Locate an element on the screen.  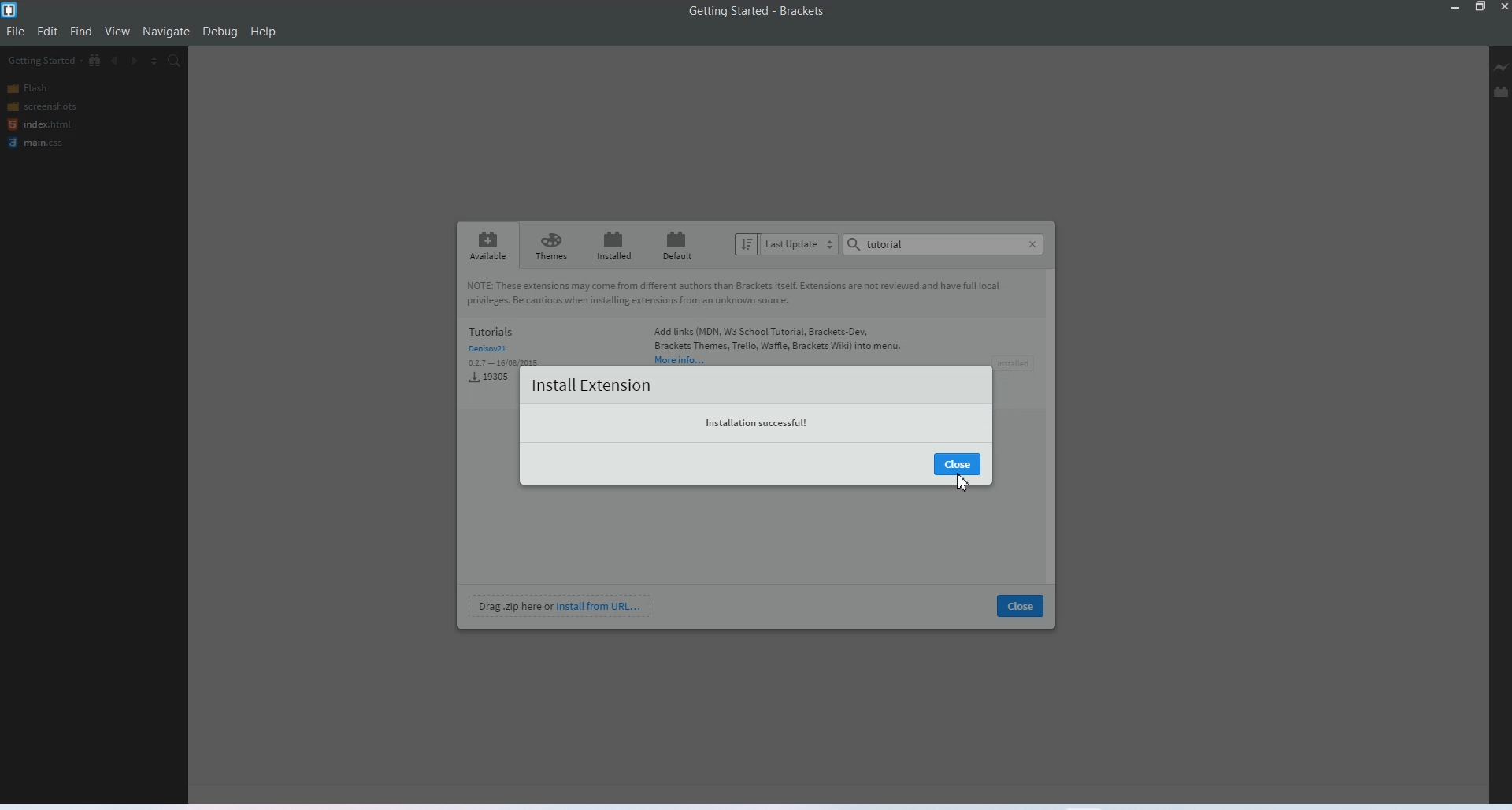
Install from URL is located at coordinates (561, 605).